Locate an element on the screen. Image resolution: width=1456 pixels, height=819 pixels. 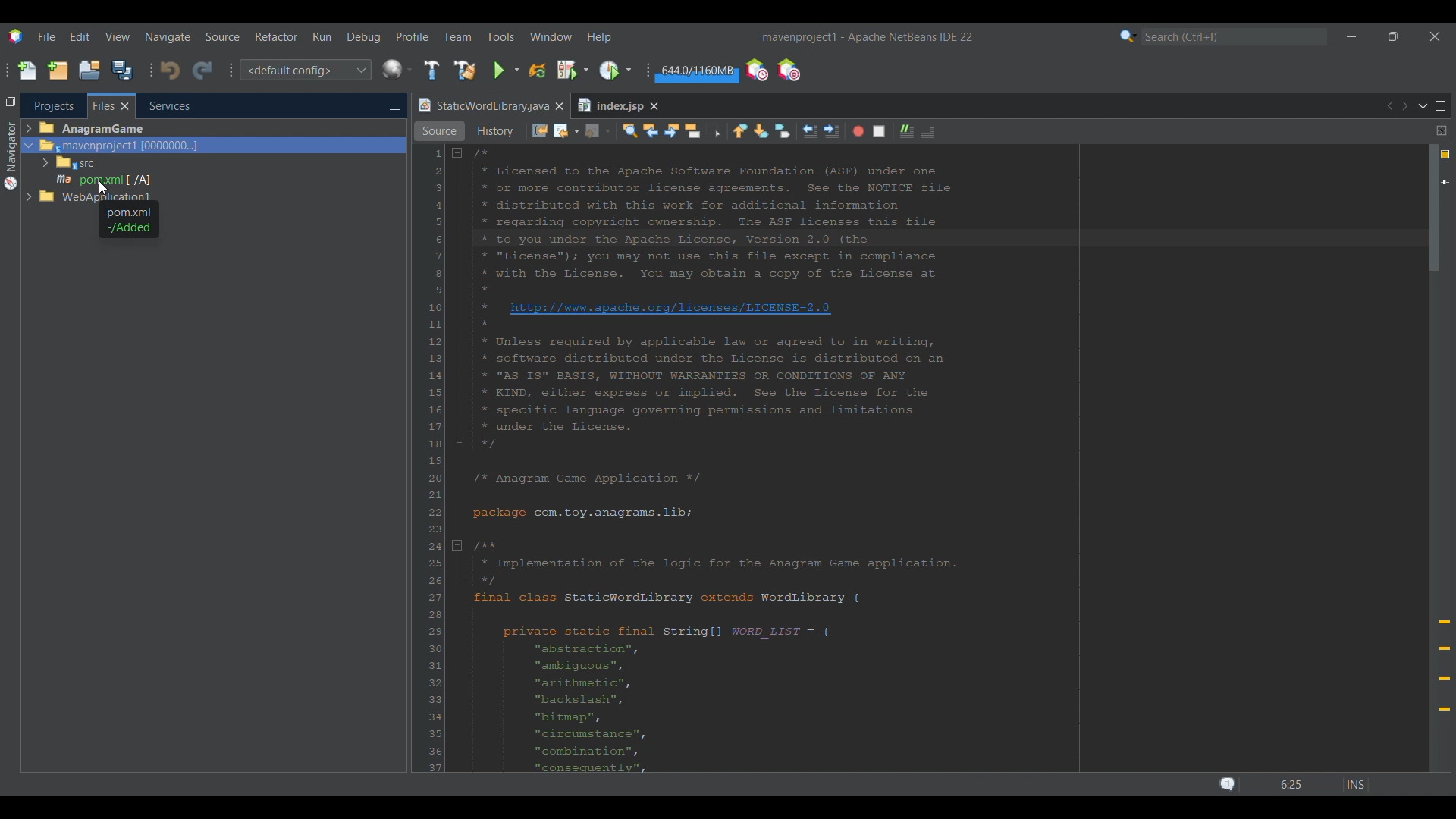
Run menu is located at coordinates (322, 36).